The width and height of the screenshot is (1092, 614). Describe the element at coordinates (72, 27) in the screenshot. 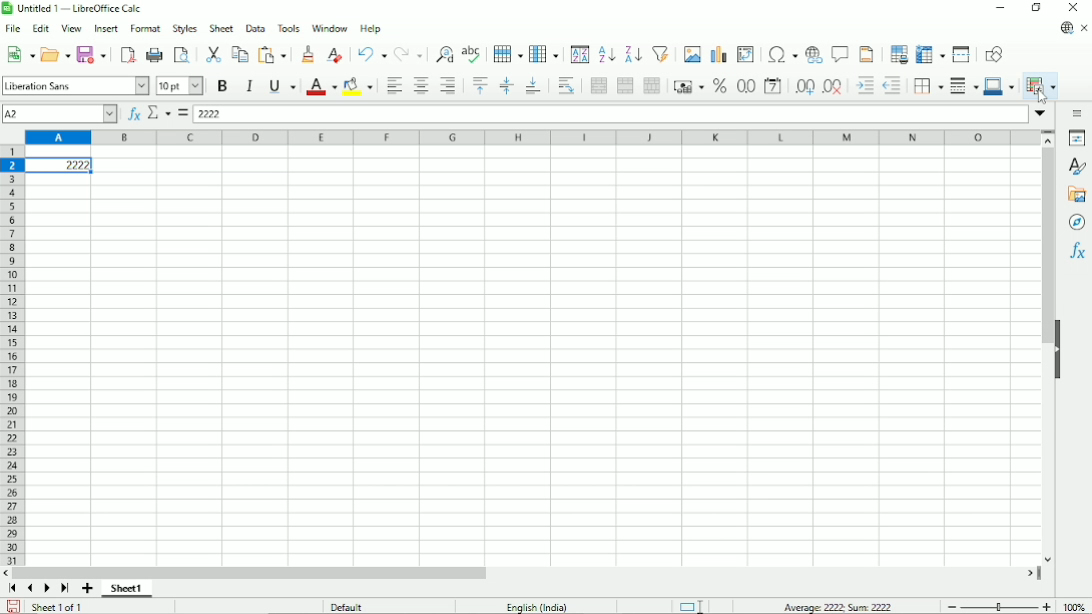

I see `View` at that location.